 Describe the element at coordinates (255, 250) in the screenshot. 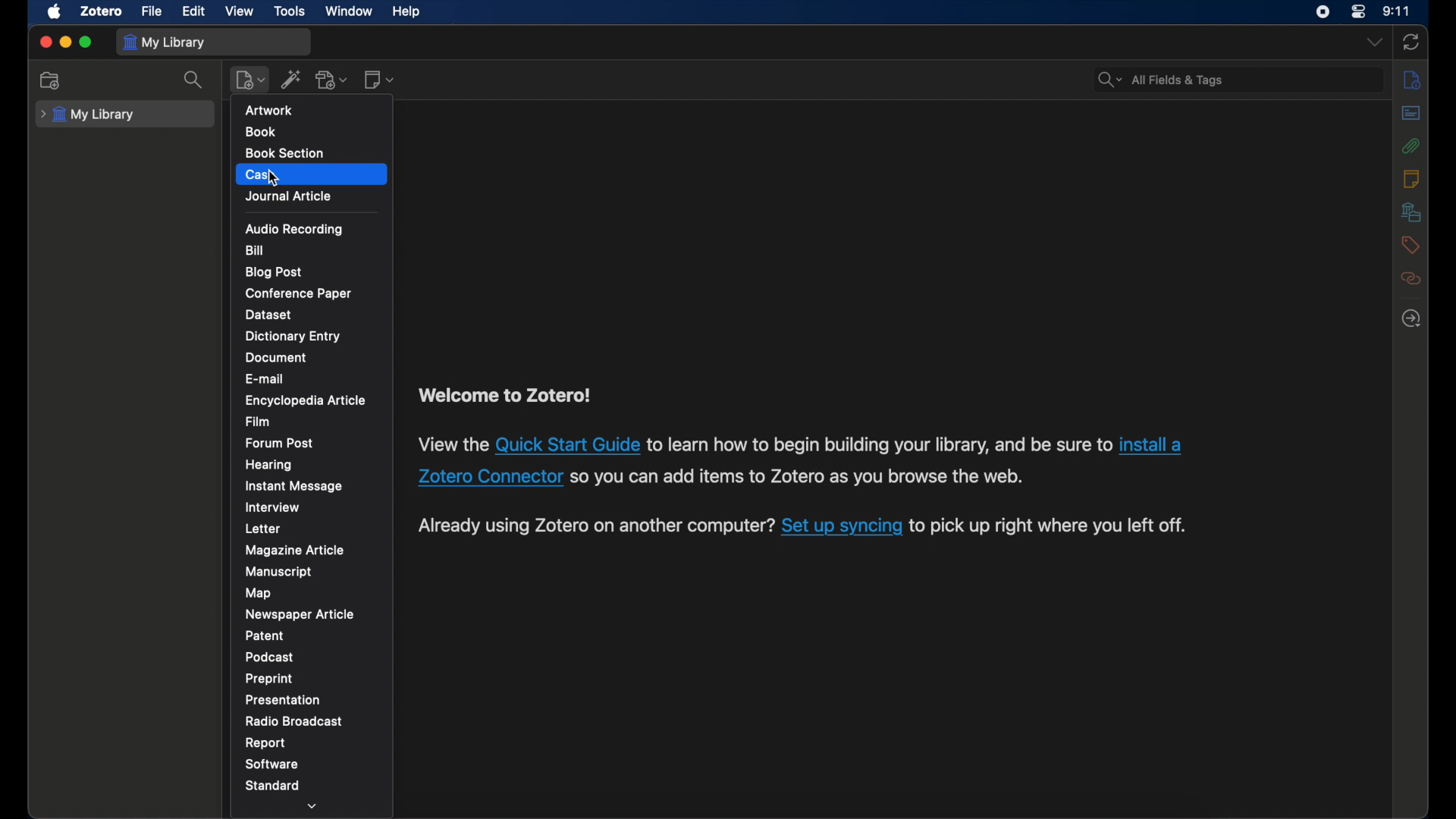

I see `bill` at that location.